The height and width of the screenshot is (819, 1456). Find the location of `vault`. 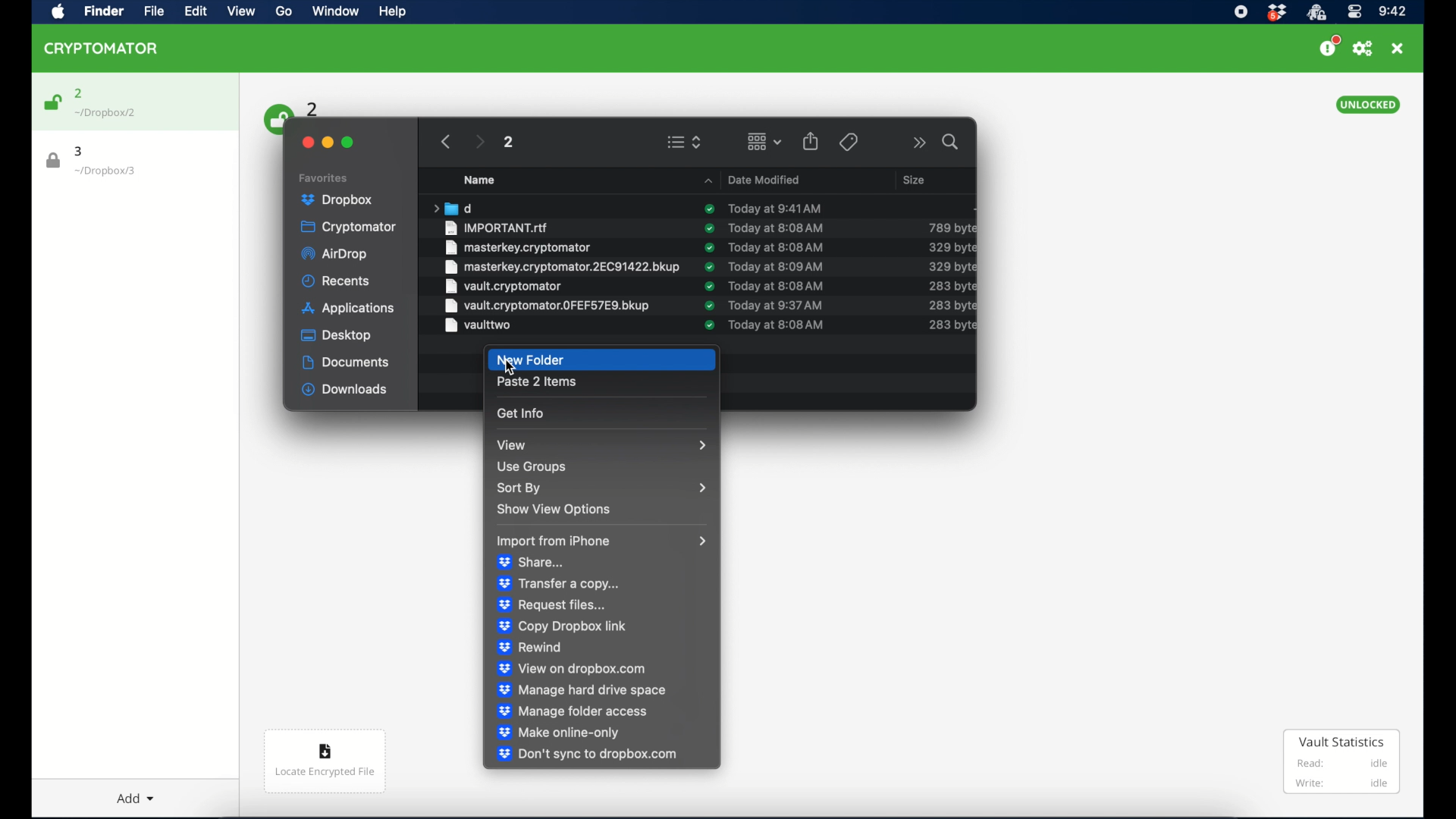

vault is located at coordinates (502, 286).